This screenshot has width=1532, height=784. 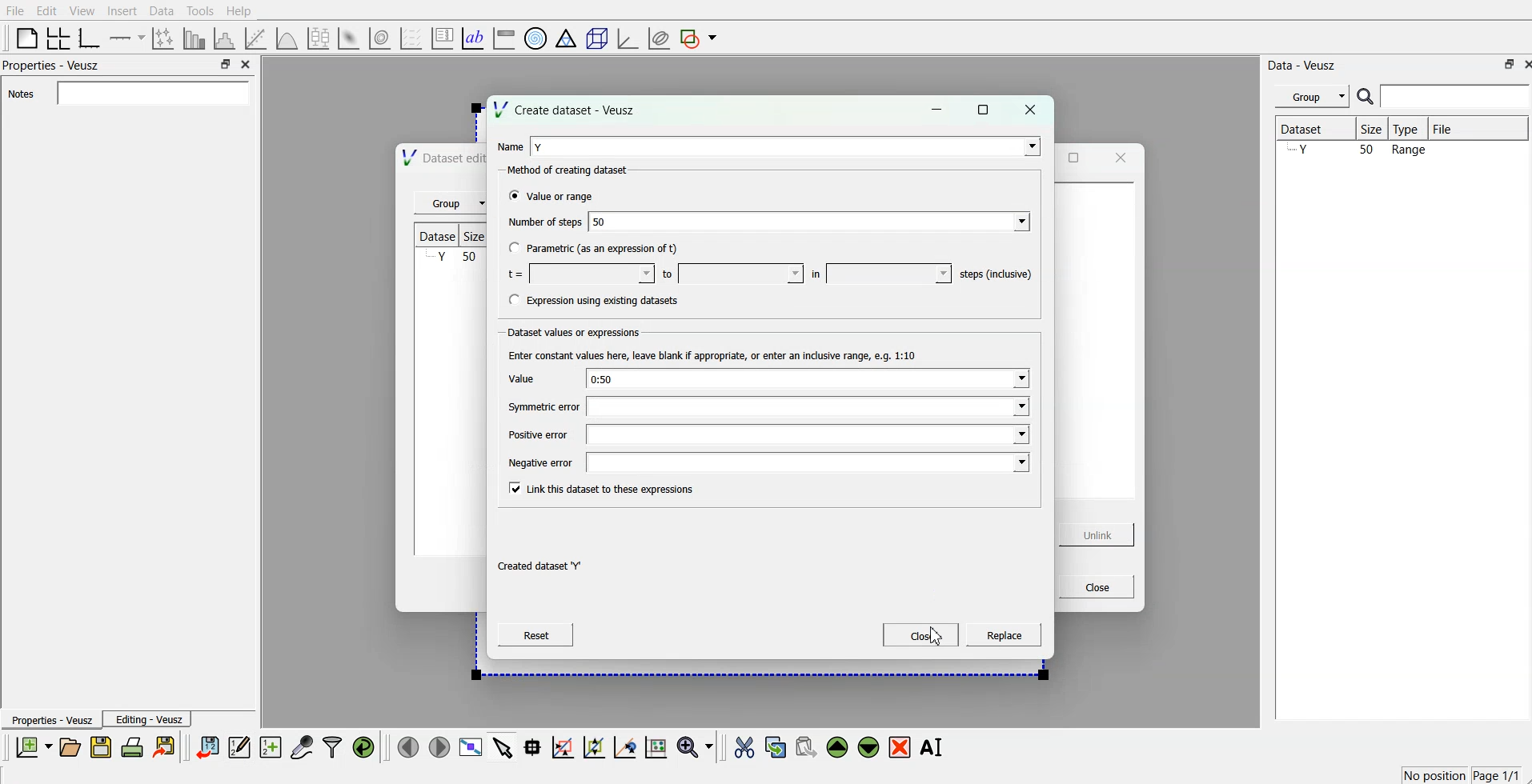 I want to click on open document, so click(x=72, y=748).